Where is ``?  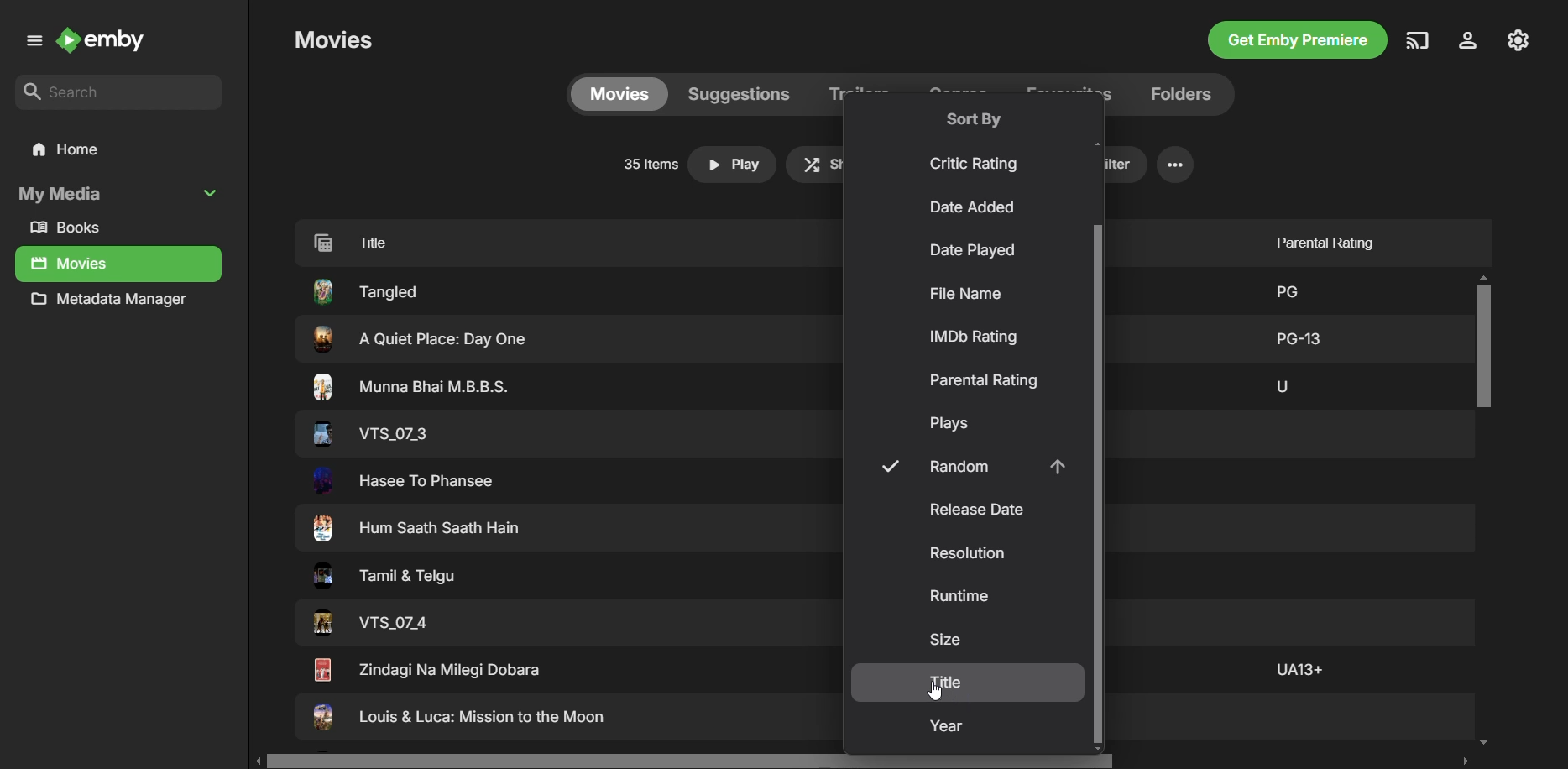  is located at coordinates (1297, 668).